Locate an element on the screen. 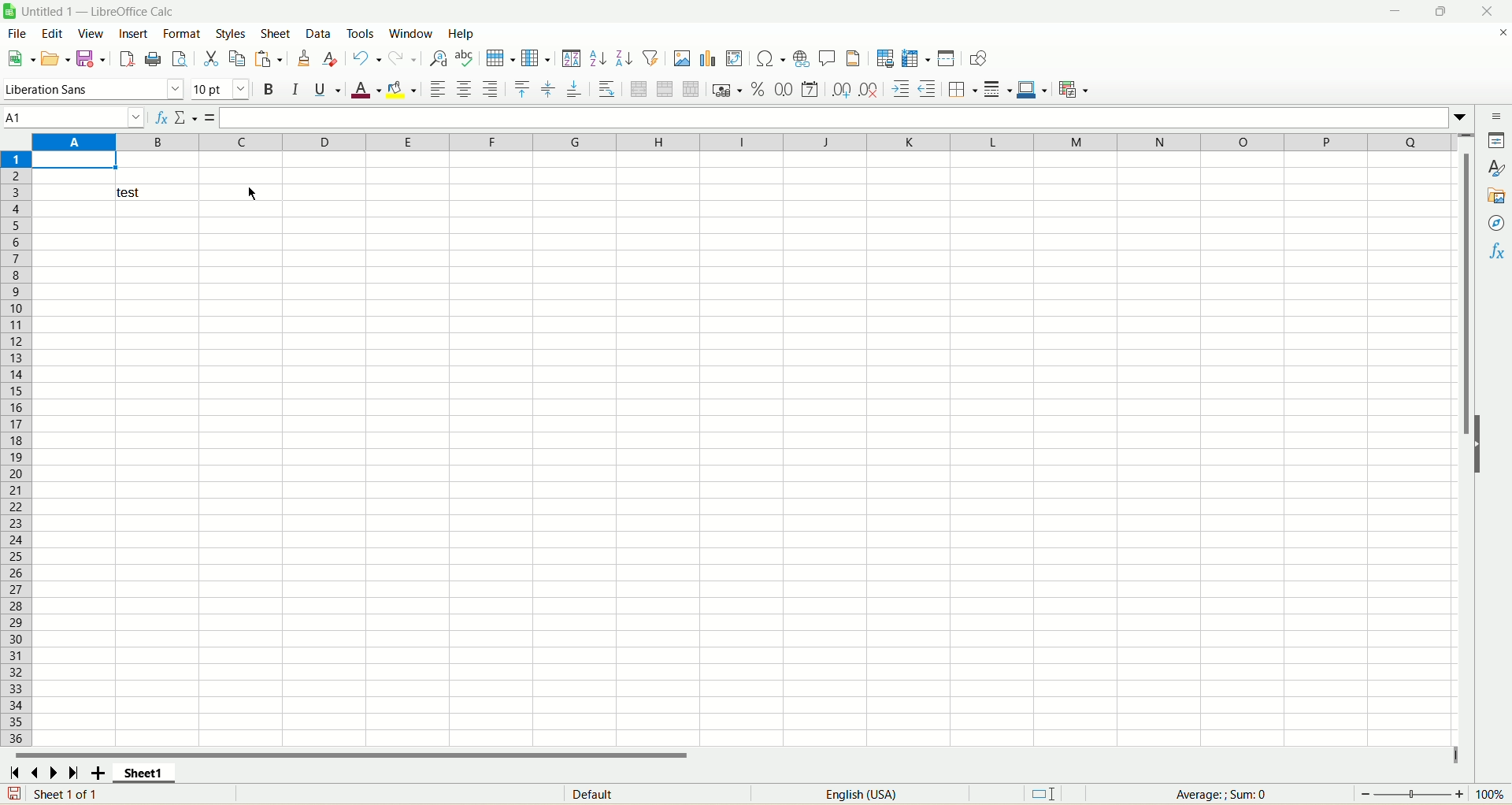  border color is located at coordinates (1032, 89).